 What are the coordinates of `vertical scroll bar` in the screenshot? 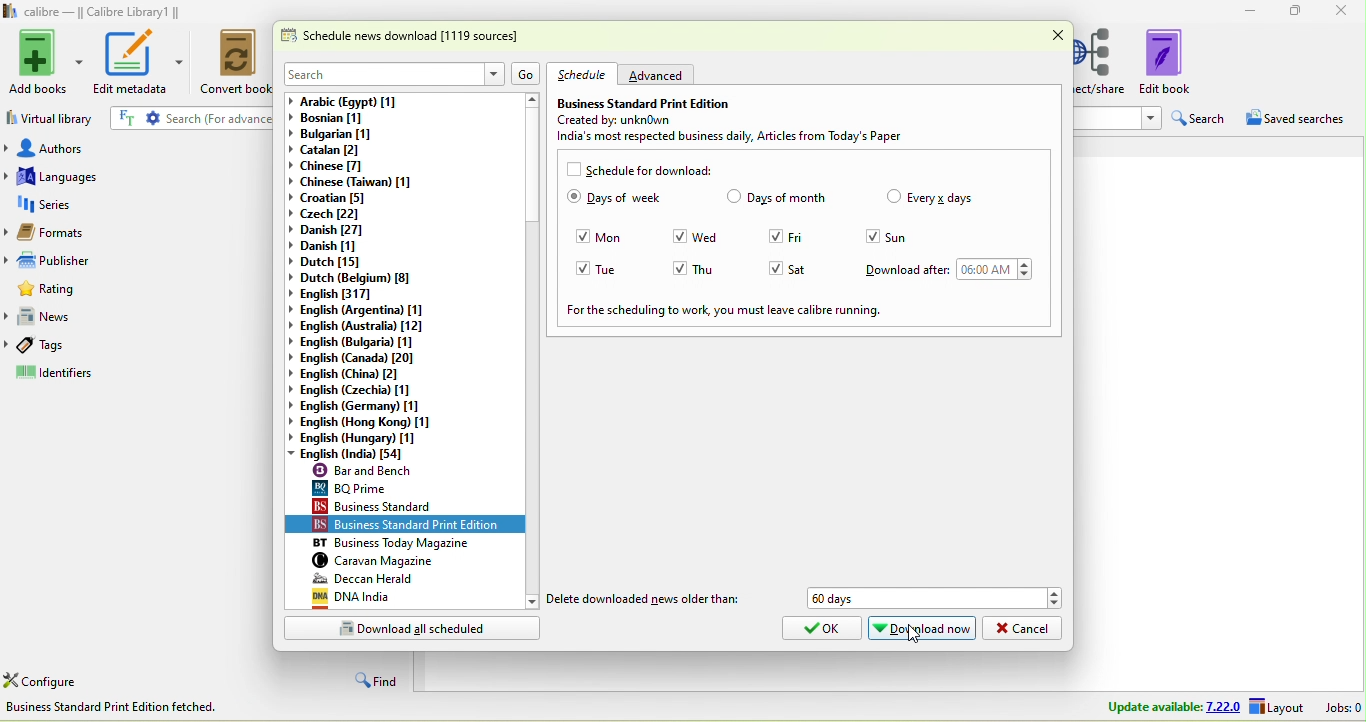 It's located at (533, 351).